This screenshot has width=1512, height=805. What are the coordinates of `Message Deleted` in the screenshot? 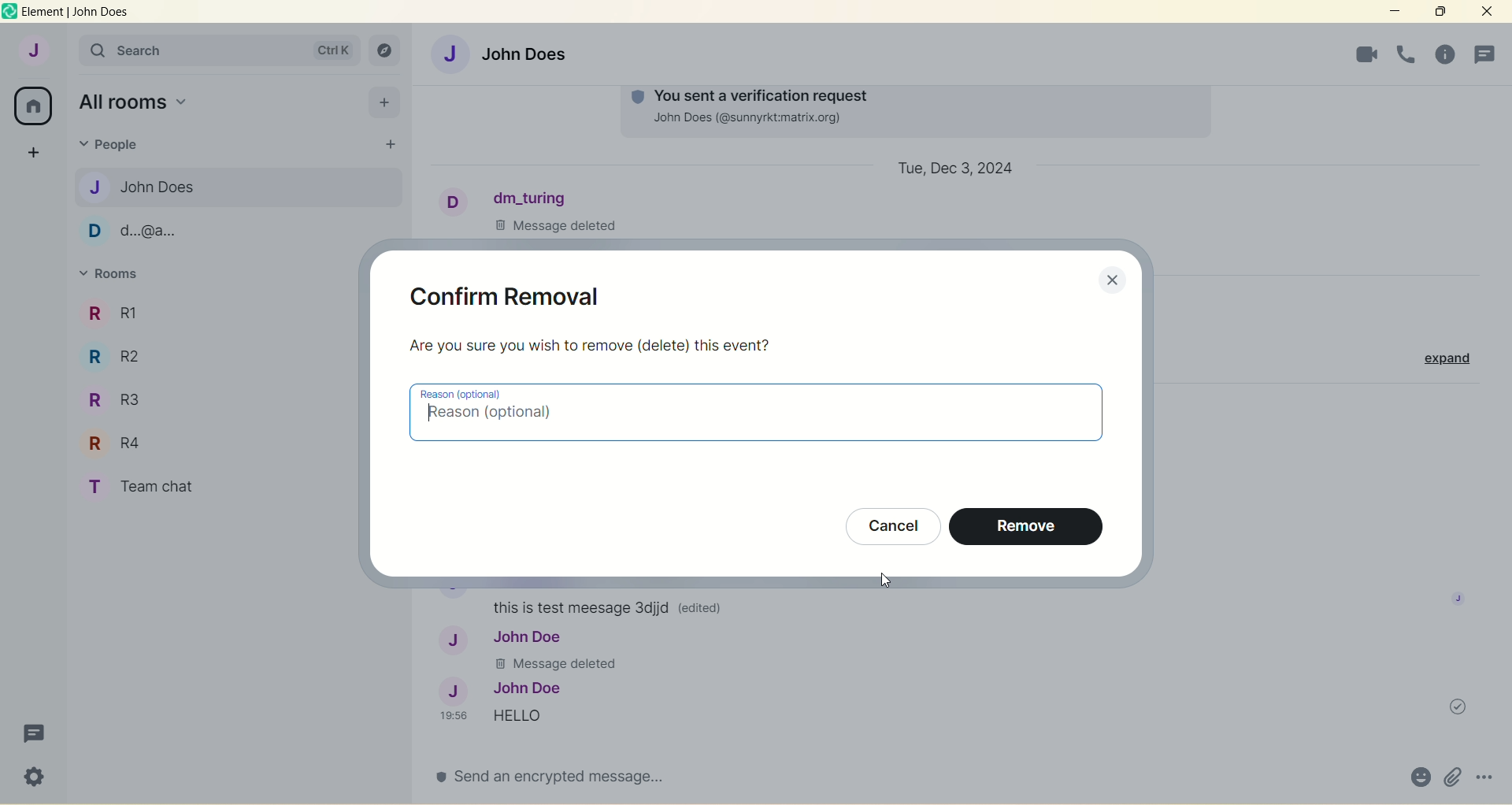 It's located at (564, 225).